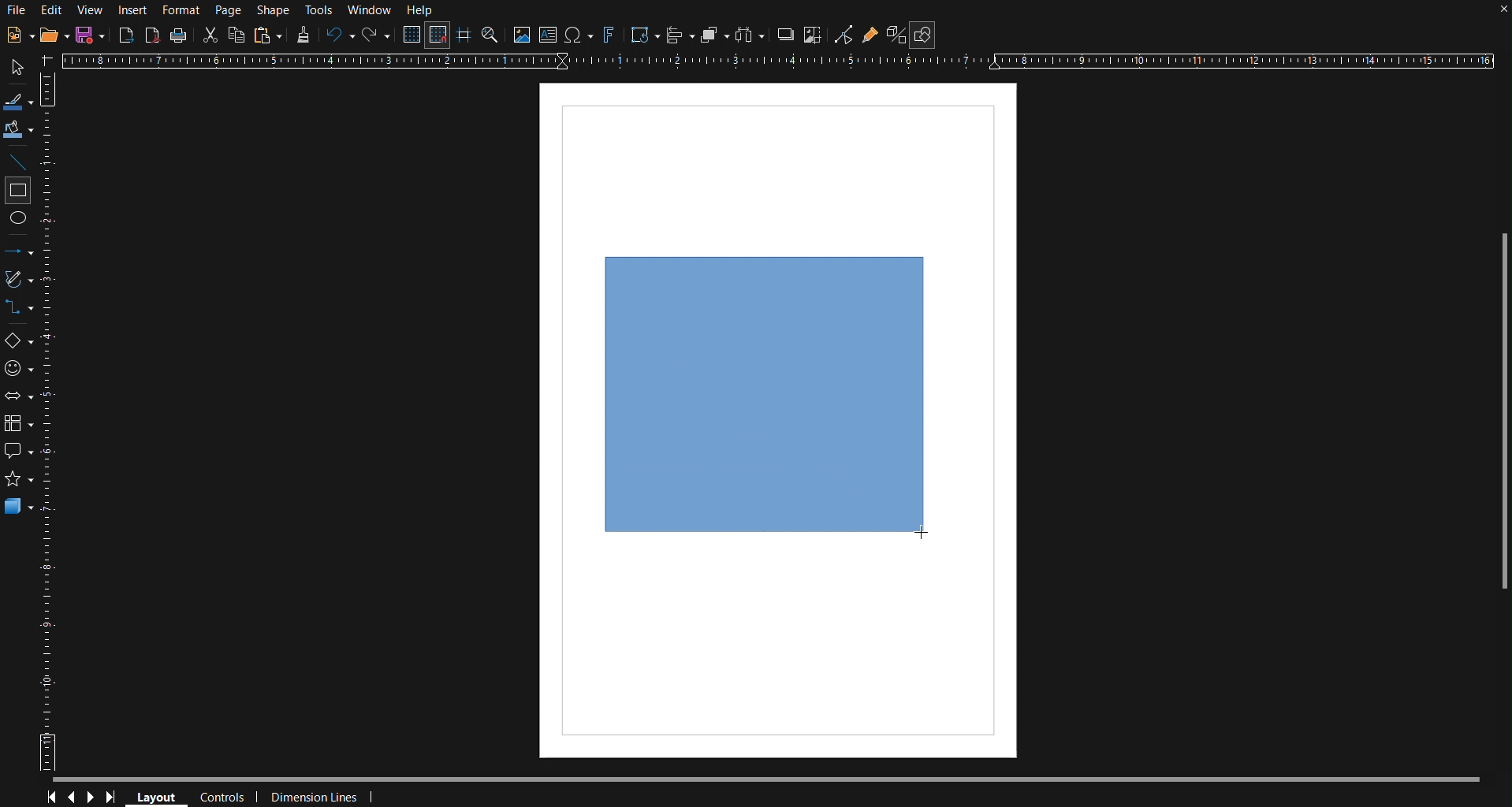 The height and width of the screenshot is (807, 1512). I want to click on Flowchart, so click(20, 426).